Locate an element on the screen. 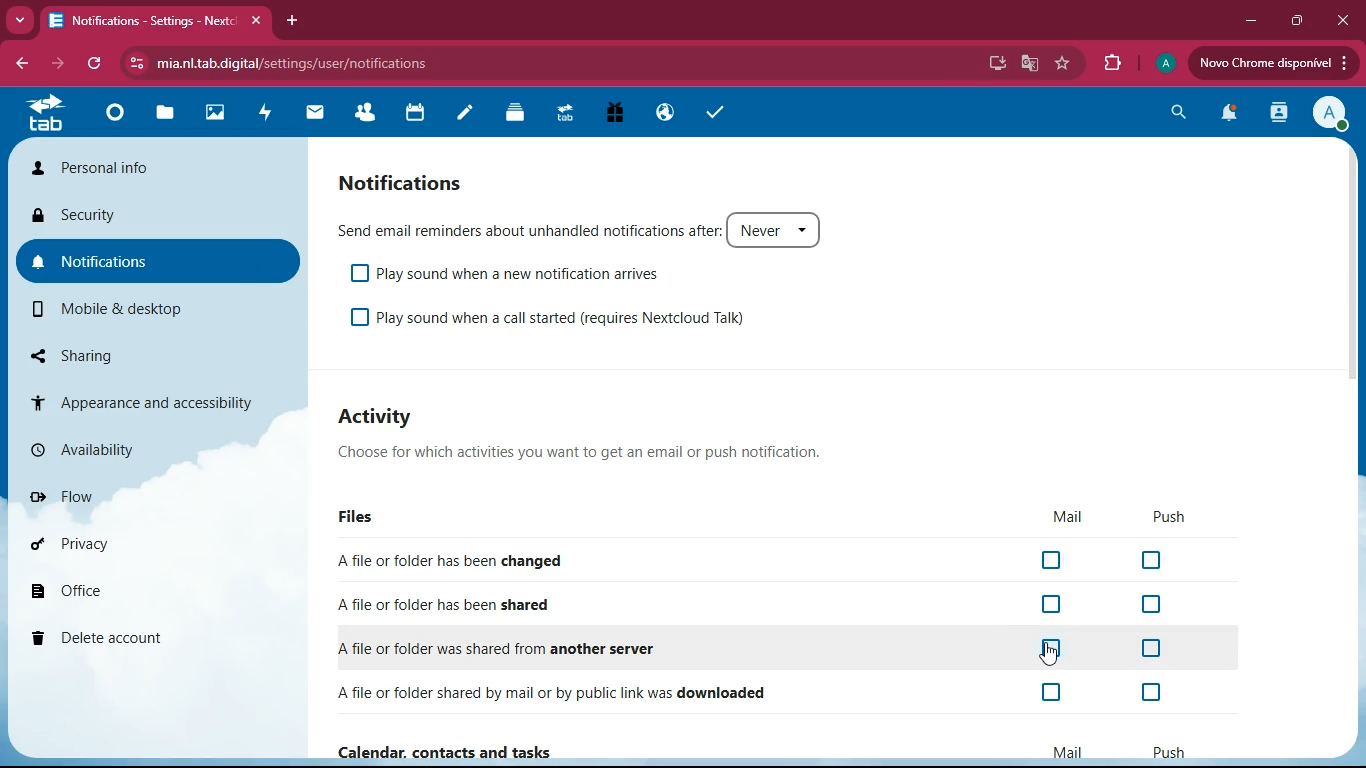 Image resolution: width=1366 pixels, height=768 pixels. office is located at coordinates (128, 591).